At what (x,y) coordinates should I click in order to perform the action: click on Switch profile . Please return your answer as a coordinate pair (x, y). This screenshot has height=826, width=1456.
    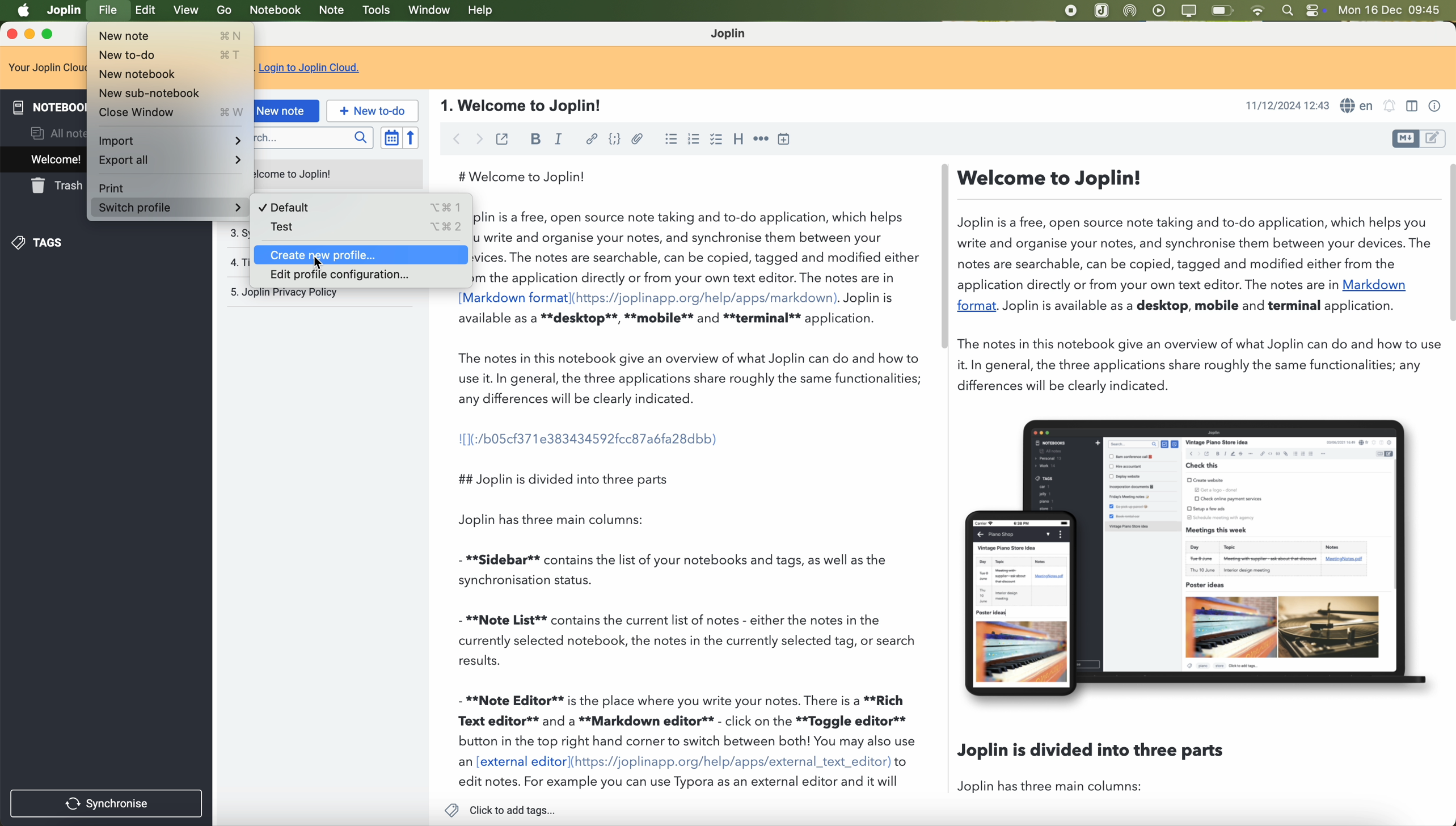
    Looking at the image, I should click on (170, 206).